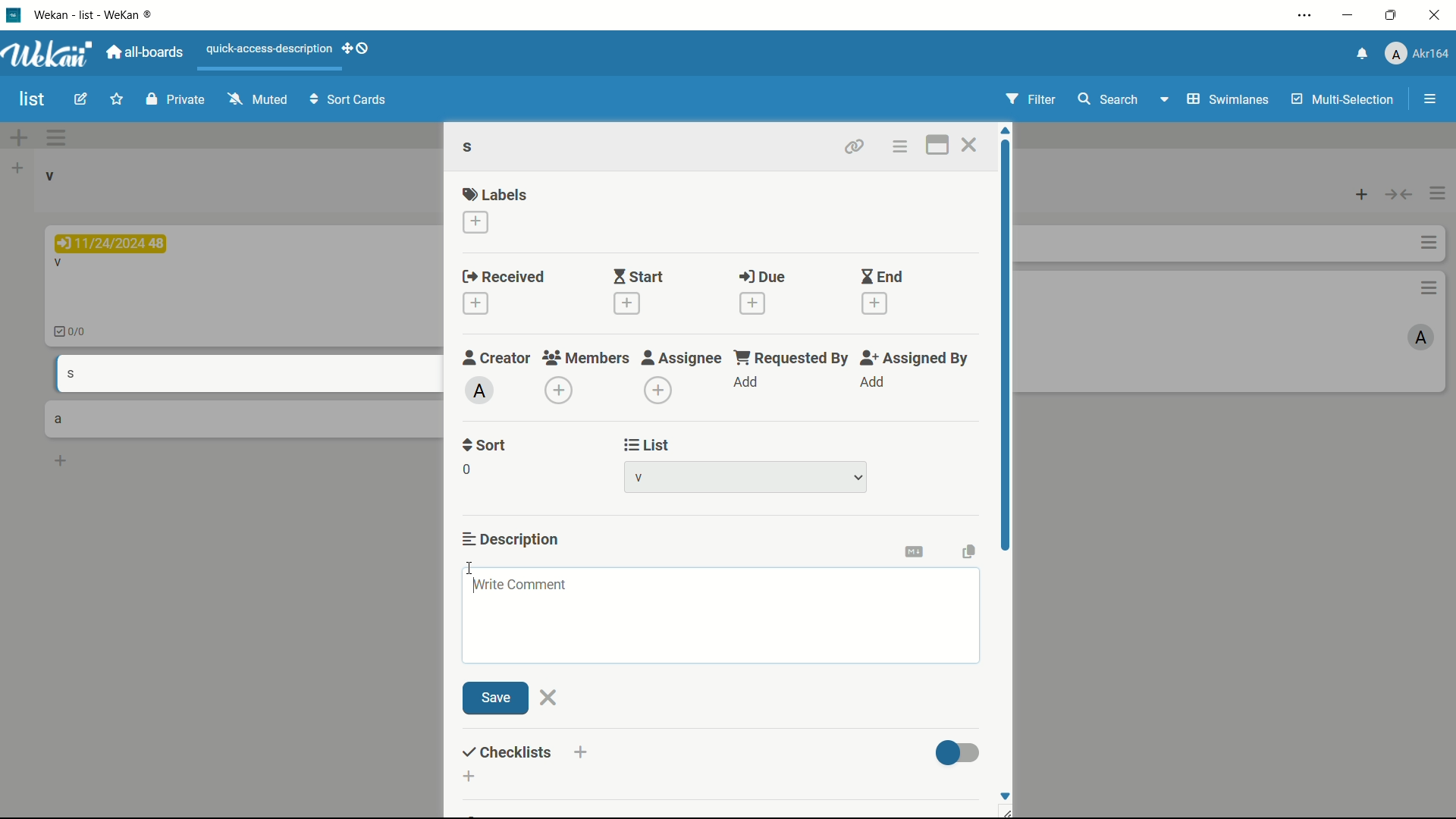 The width and height of the screenshot is (1456, 819). I want to click on Write comment, so click(722, 614).